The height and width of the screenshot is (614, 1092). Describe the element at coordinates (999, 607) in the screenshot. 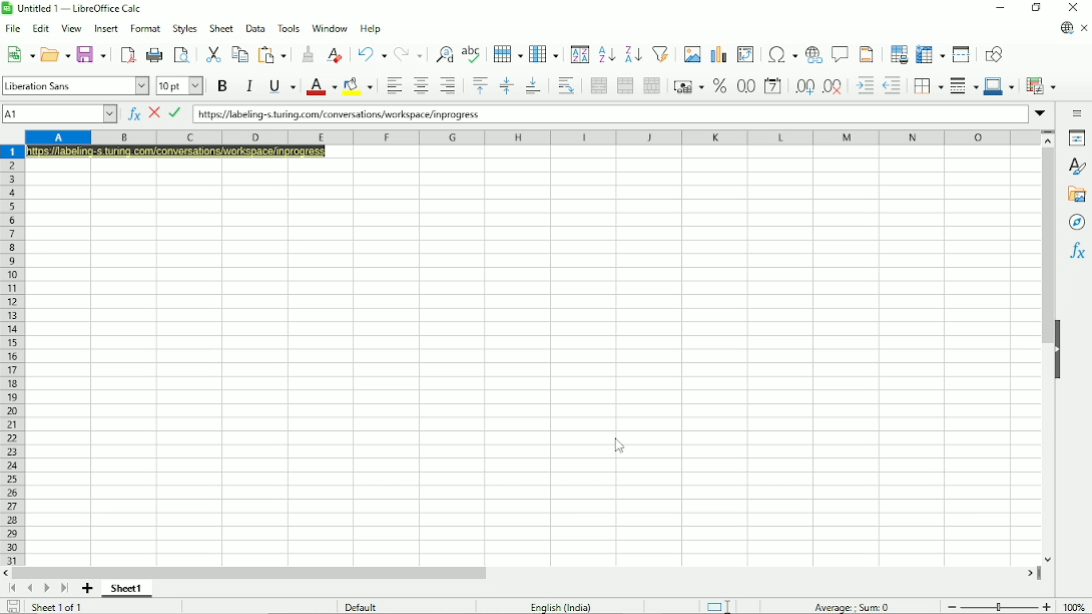

I see `Zoom out/in` at that location.